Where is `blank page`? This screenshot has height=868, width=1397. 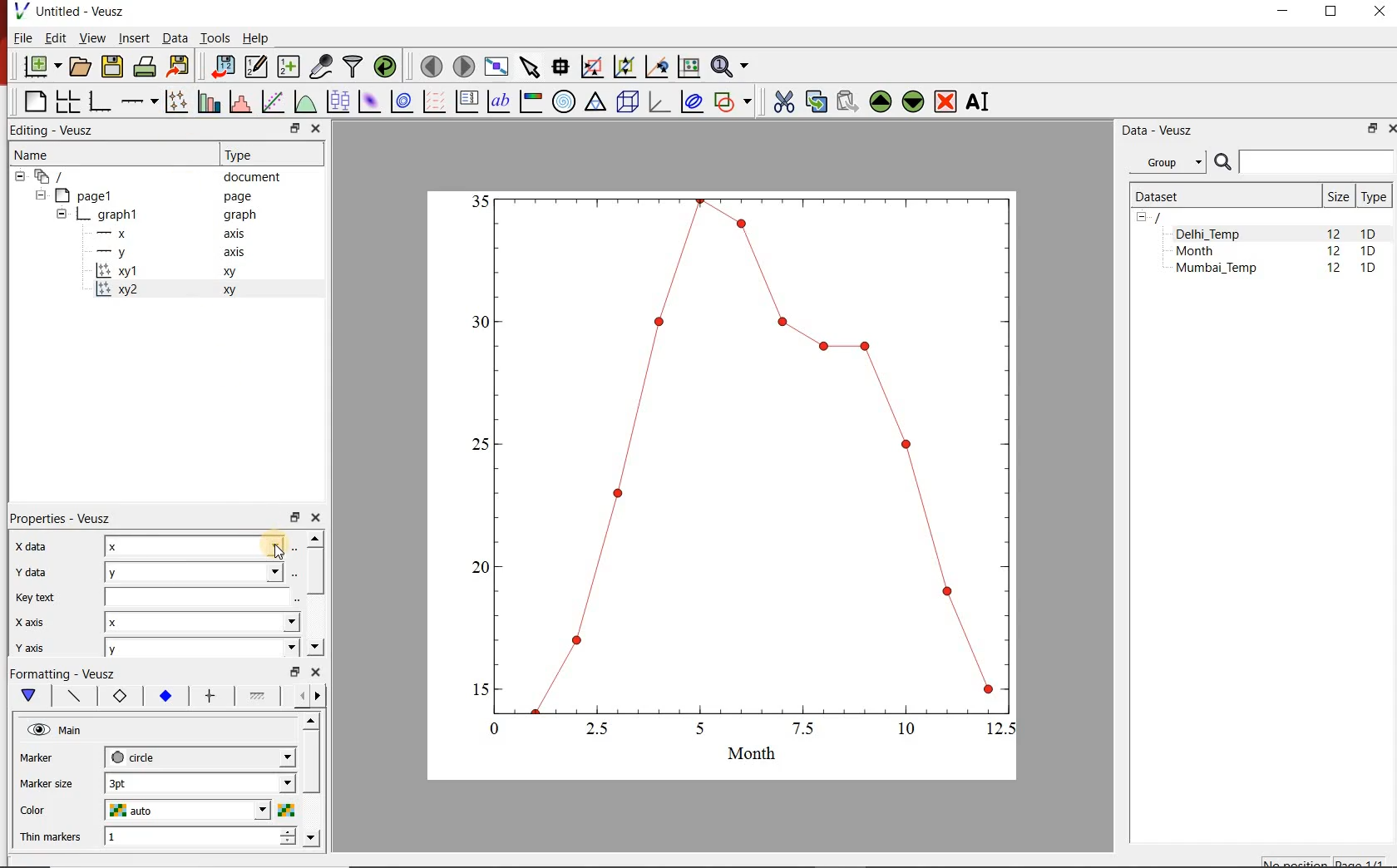 blank page is located at coordinates (32, 101).